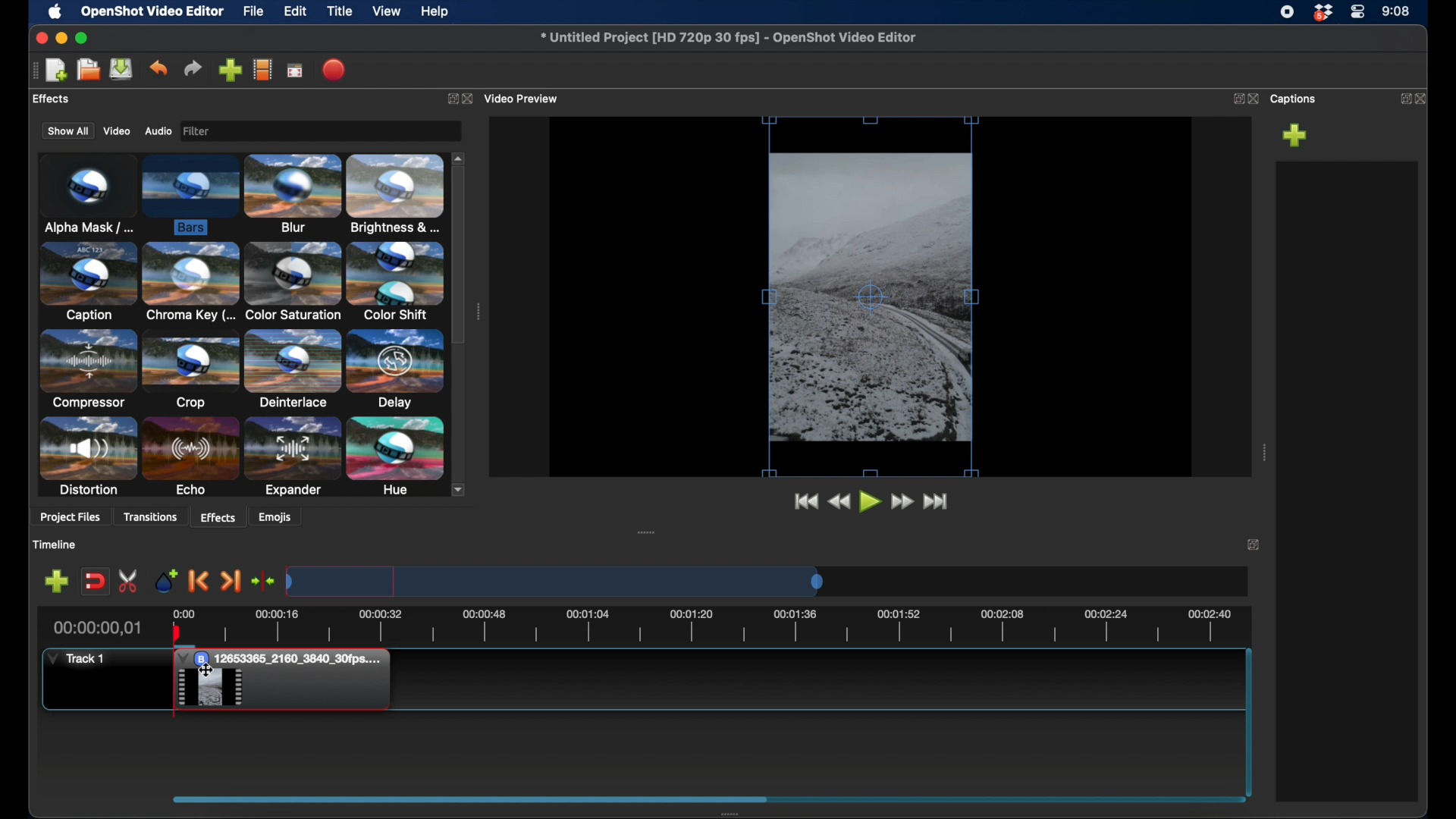  I want to click on audio, so click(158, 131).